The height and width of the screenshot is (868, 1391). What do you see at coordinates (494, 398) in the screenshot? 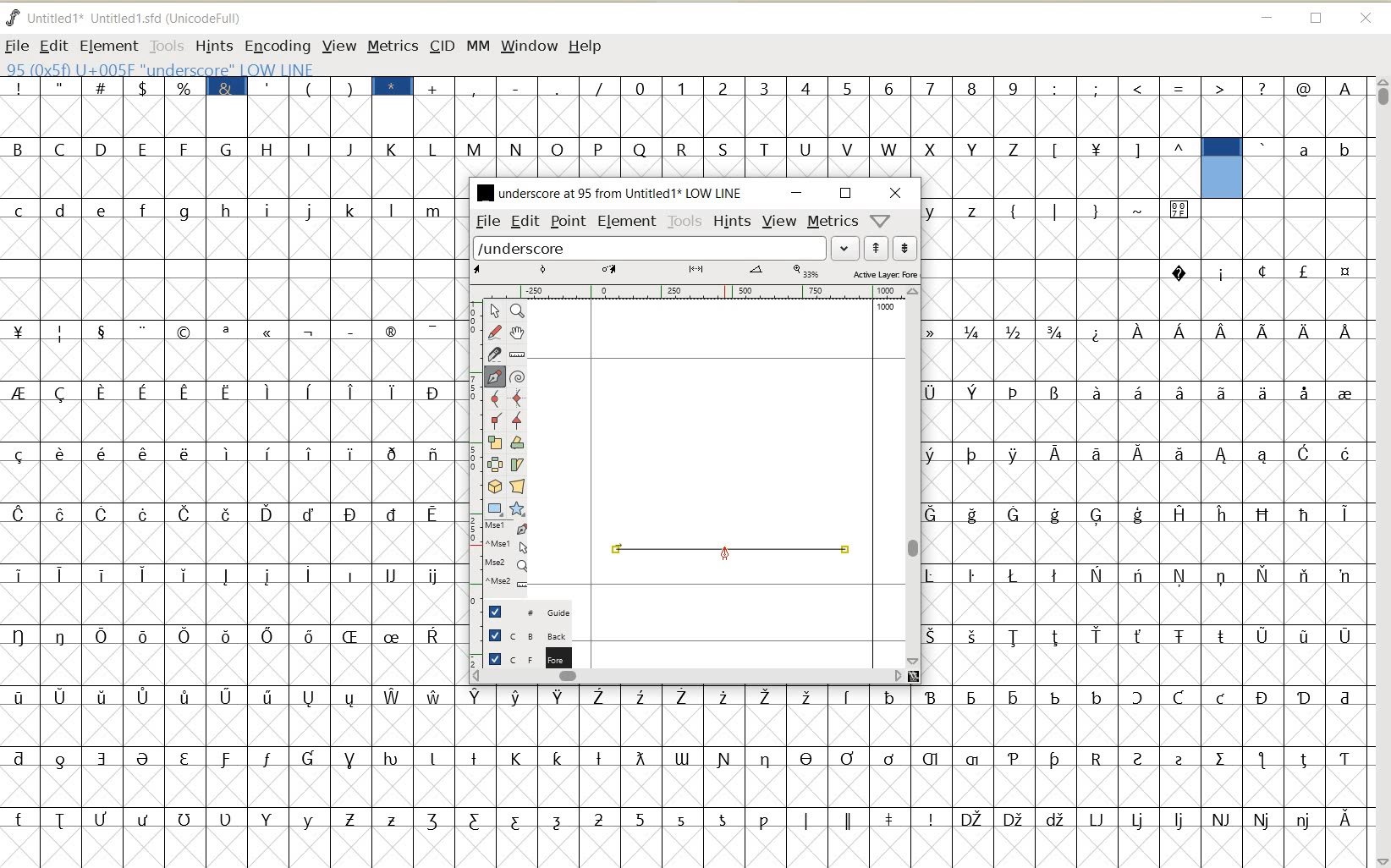
I see `add a curve point` at bounding box center [494, 398].